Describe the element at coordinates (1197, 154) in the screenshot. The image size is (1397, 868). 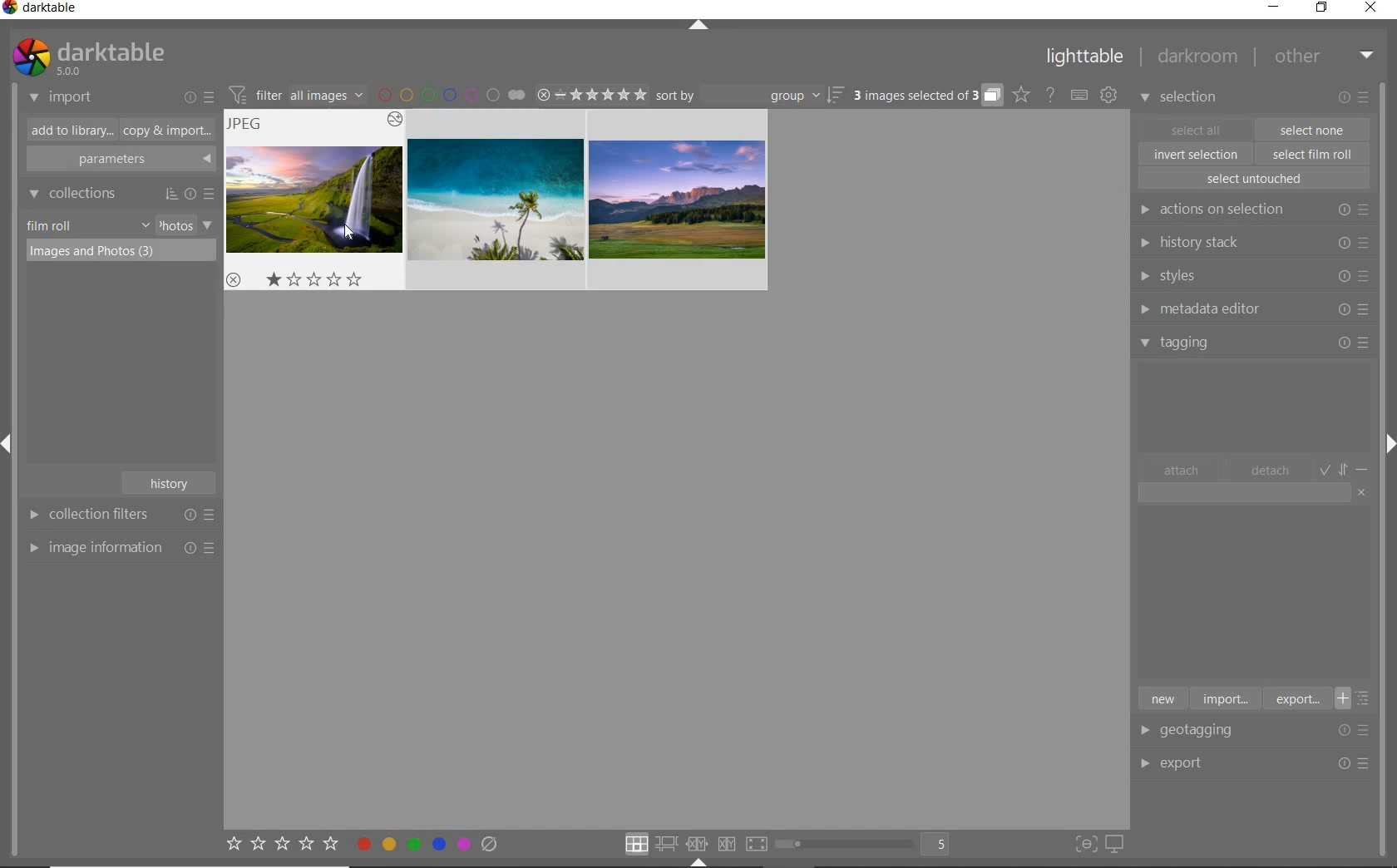
I see `invert selection` at that location.